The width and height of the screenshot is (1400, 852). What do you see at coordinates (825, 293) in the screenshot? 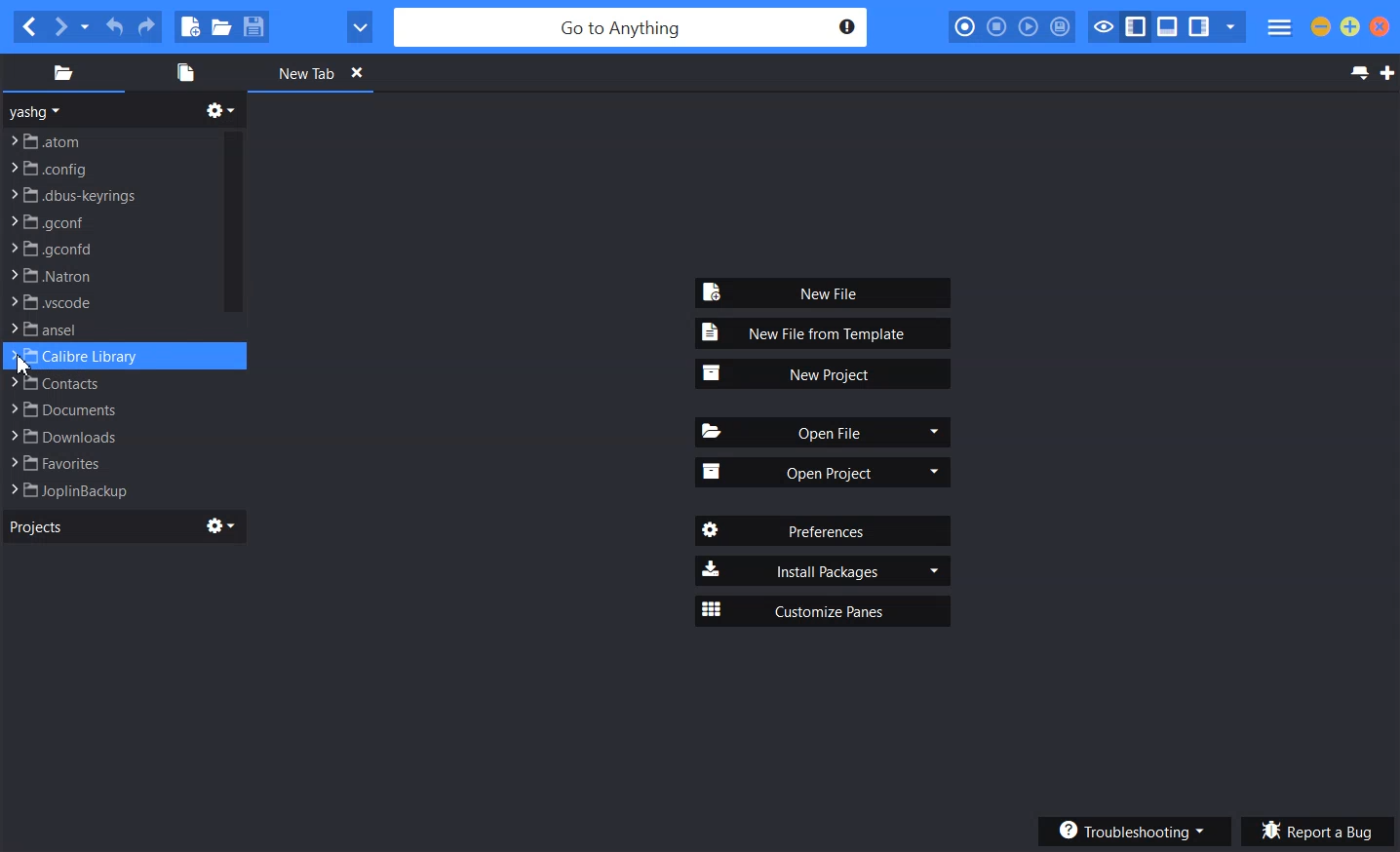
I see `New File` at bounding box center [825, 293].